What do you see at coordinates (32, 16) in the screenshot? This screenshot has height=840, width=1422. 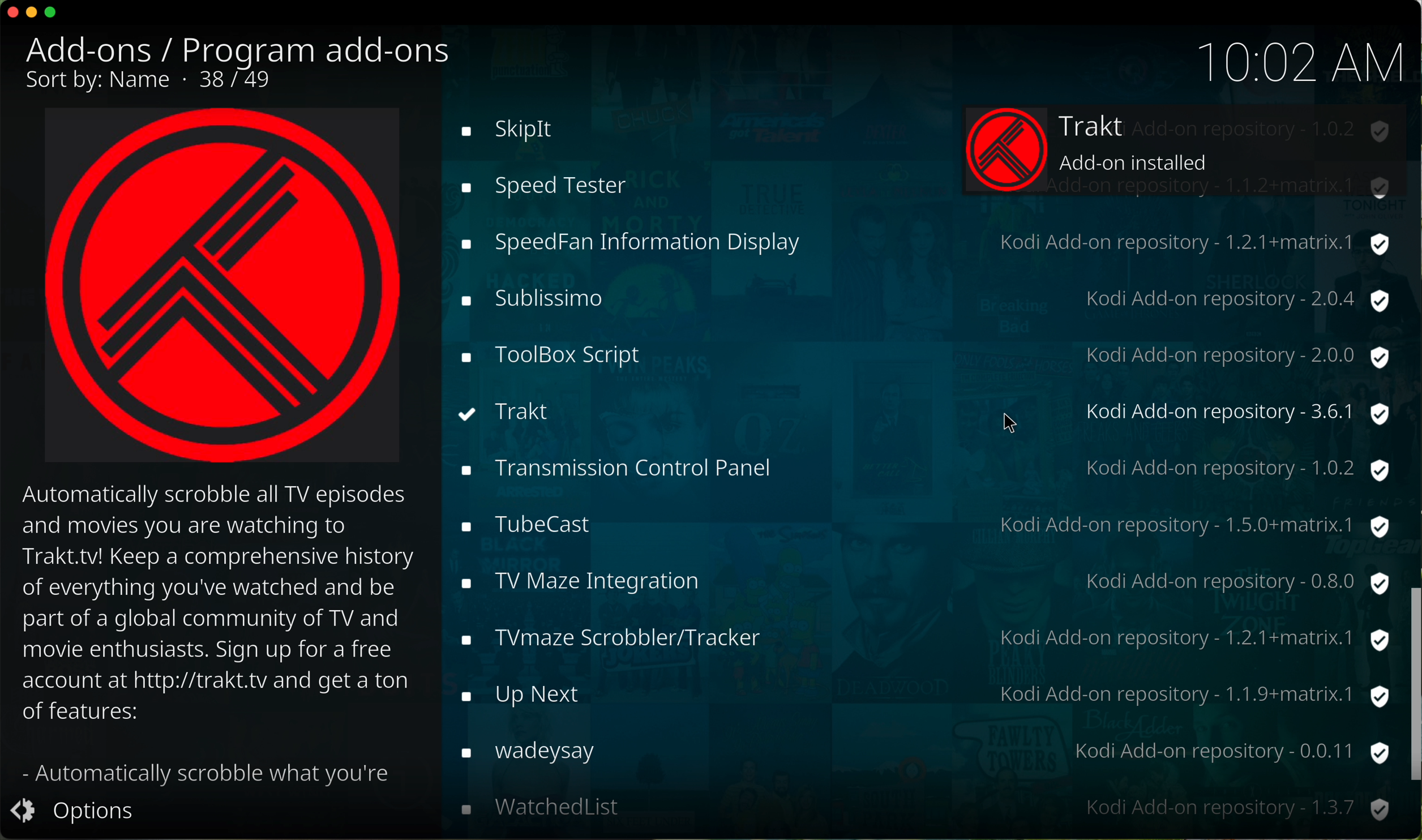 I see `minimize` at bounding box center [32, 16].